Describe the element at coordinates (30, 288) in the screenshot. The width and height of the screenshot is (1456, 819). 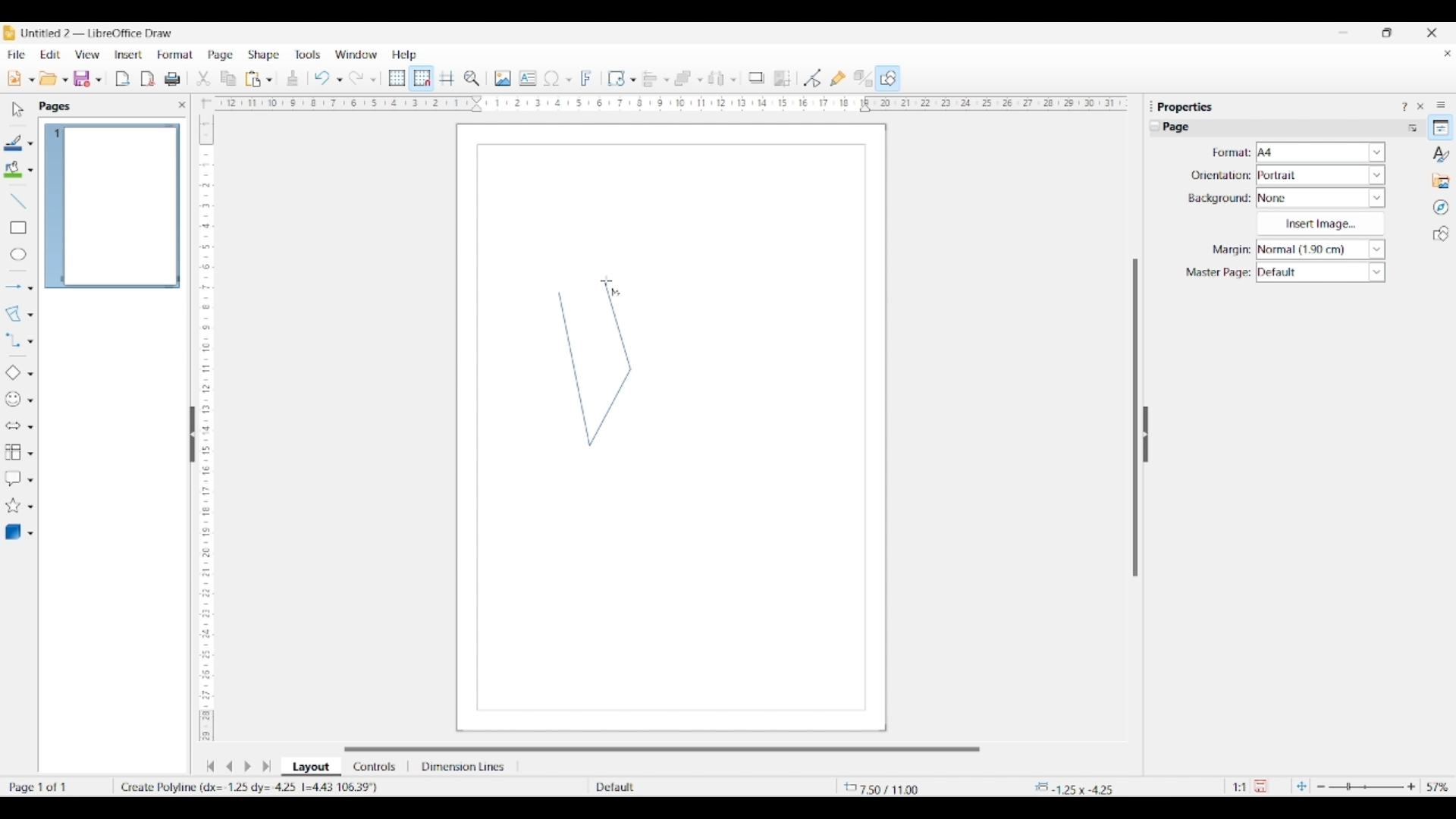
I see `Line and arrow options` at that location.